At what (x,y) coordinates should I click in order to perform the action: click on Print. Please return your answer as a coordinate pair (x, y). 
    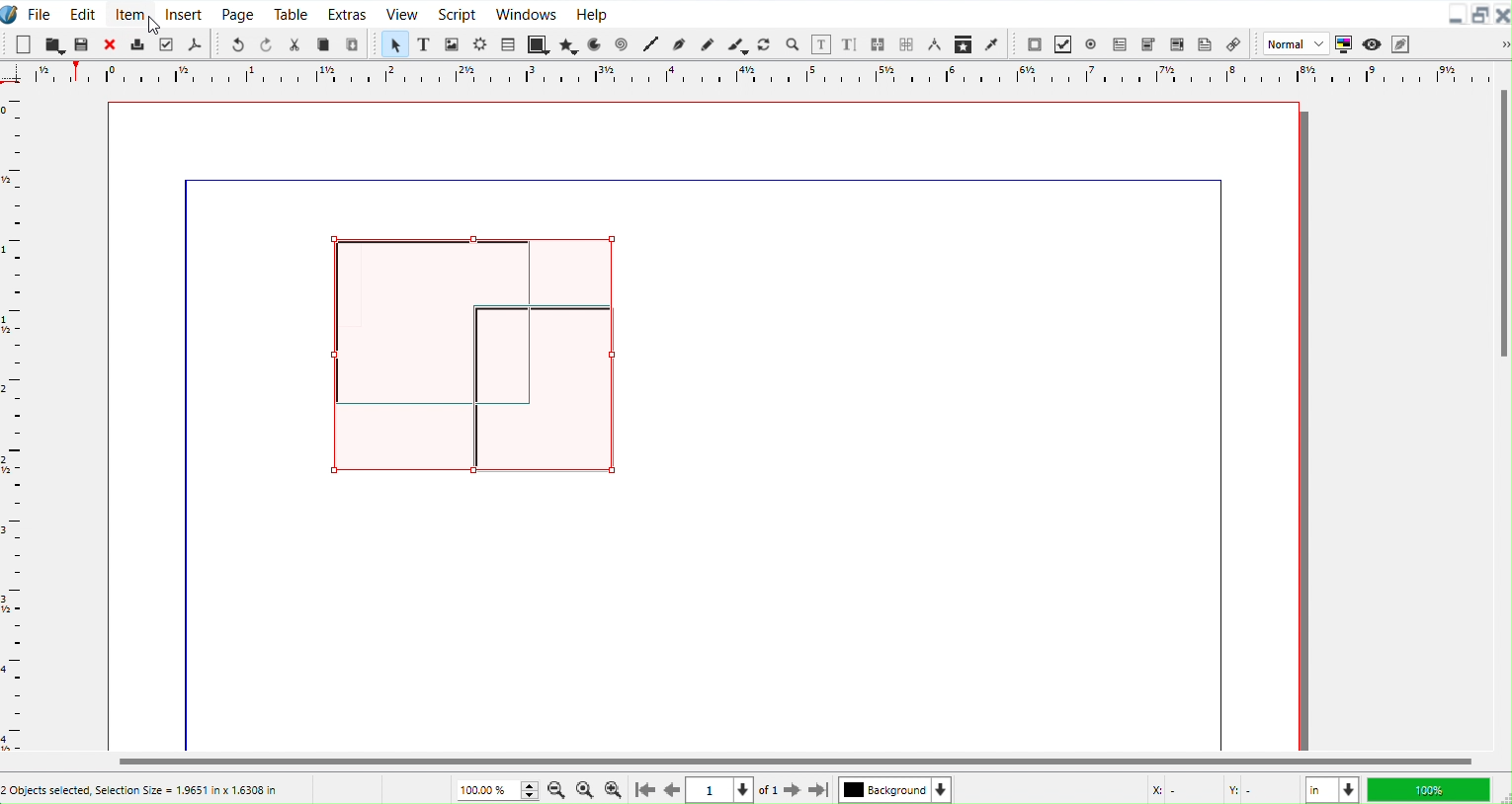
    Looking at the image, I should click on (136, 44).